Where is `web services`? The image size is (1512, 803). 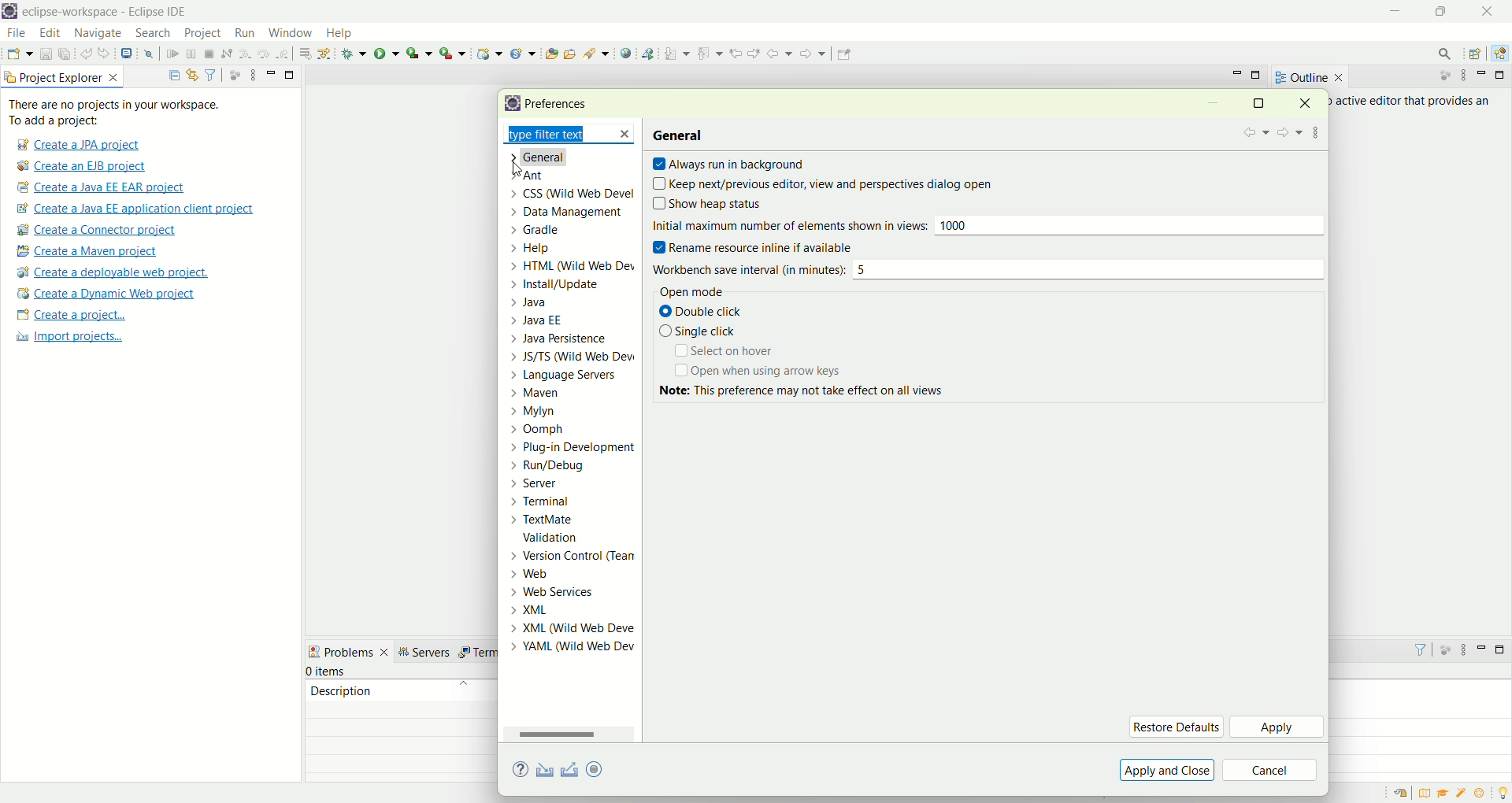 web services is located at coordinates (571, 590).